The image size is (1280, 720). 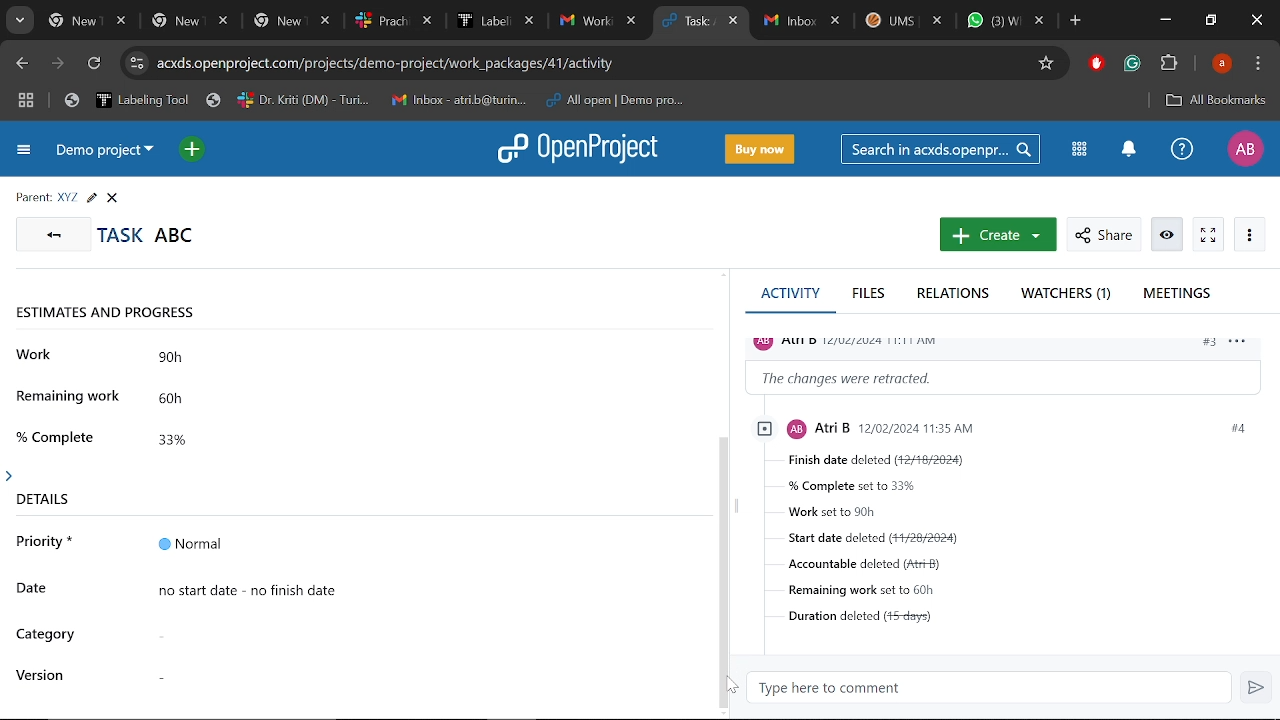 What do you see at coordinates (33, 198) in the screenshot?
I see `parent` at bounding box center [33, 198].